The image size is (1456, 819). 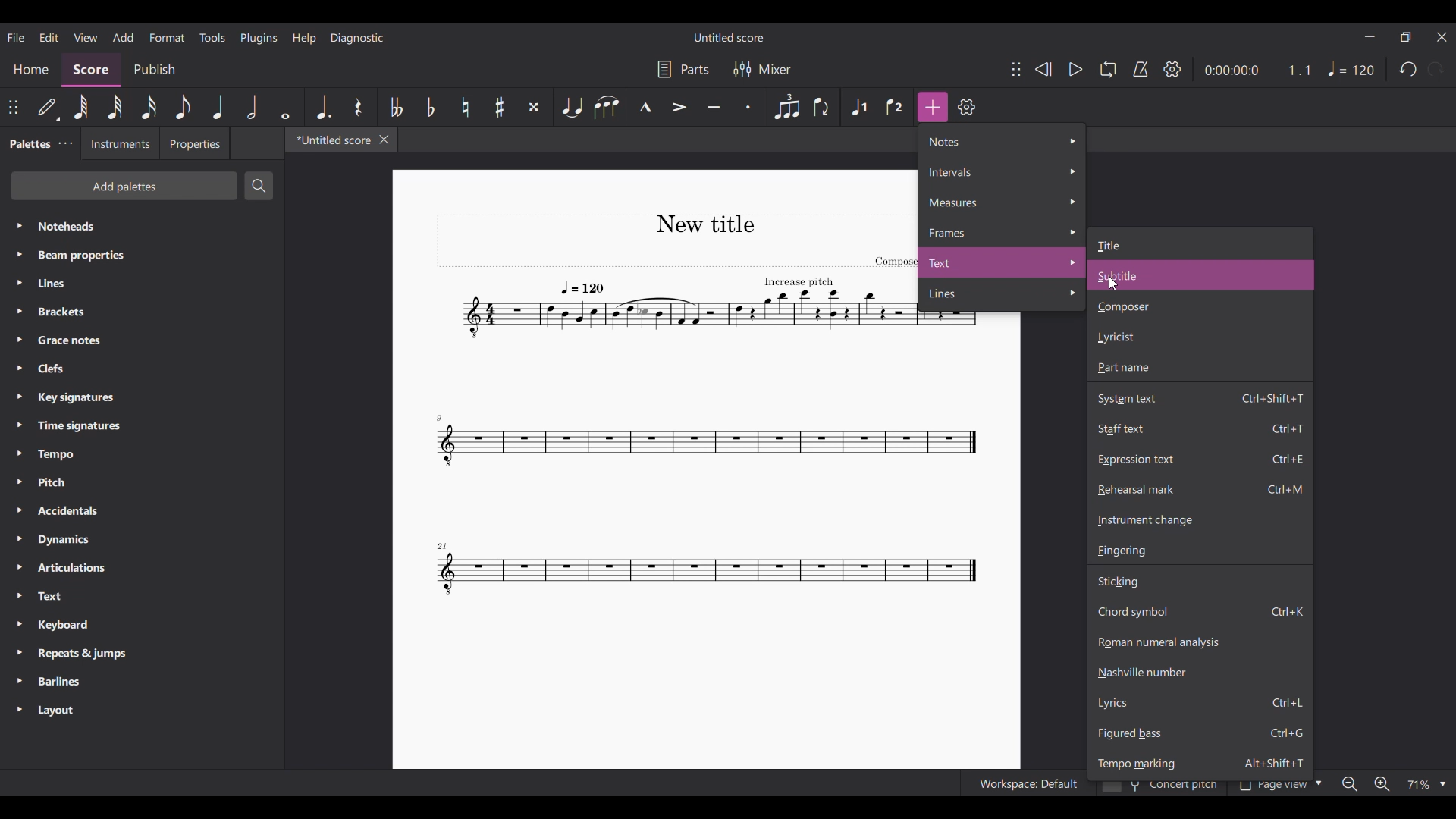 I want to click on Expression text, so click(x=1200, y=459).